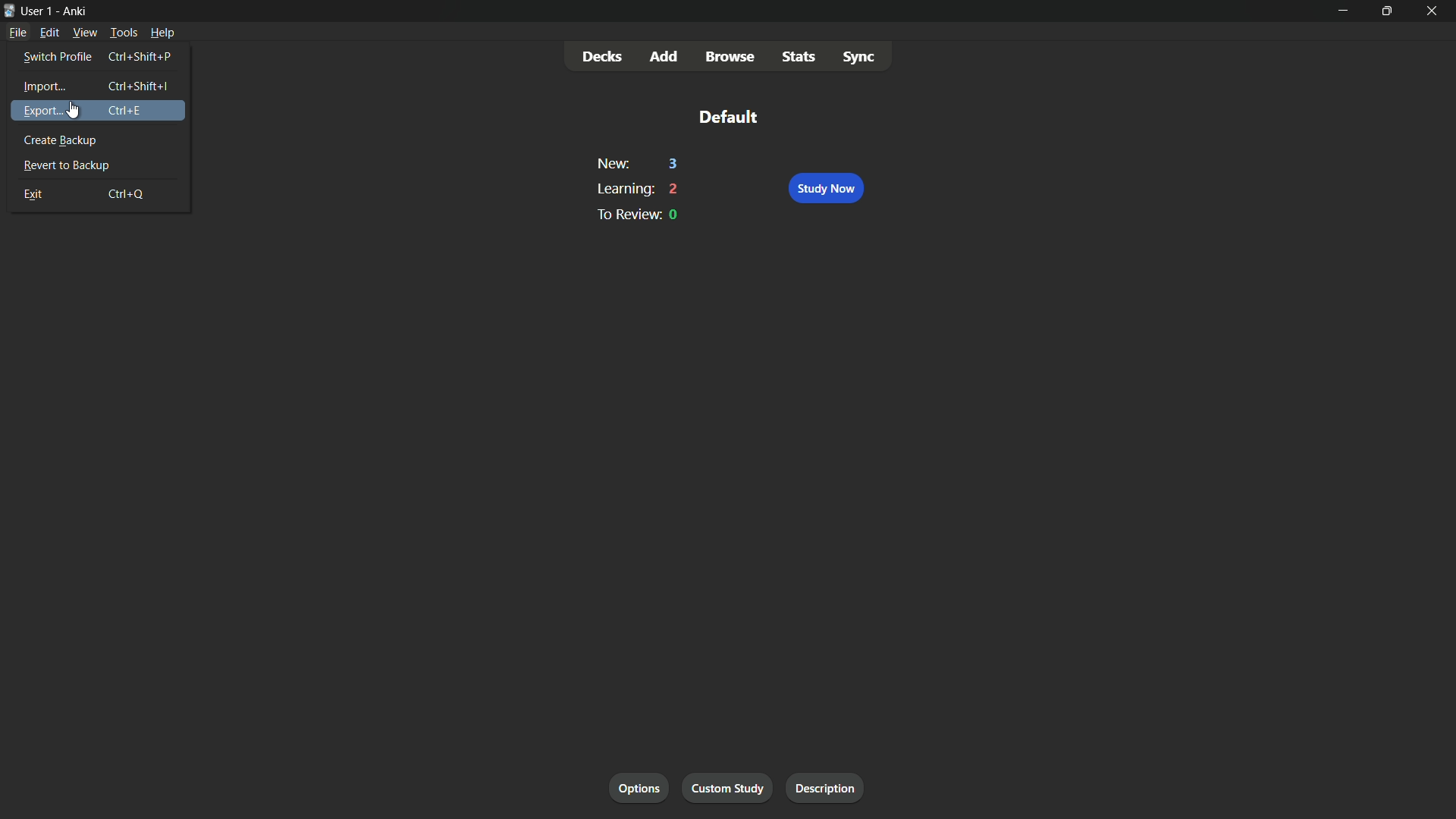 This screenshot has width=1456, height=819. What do you see at coordinates (49, 33) in the screenshot?
I see `edit menu` at bounding box center [49, 33].